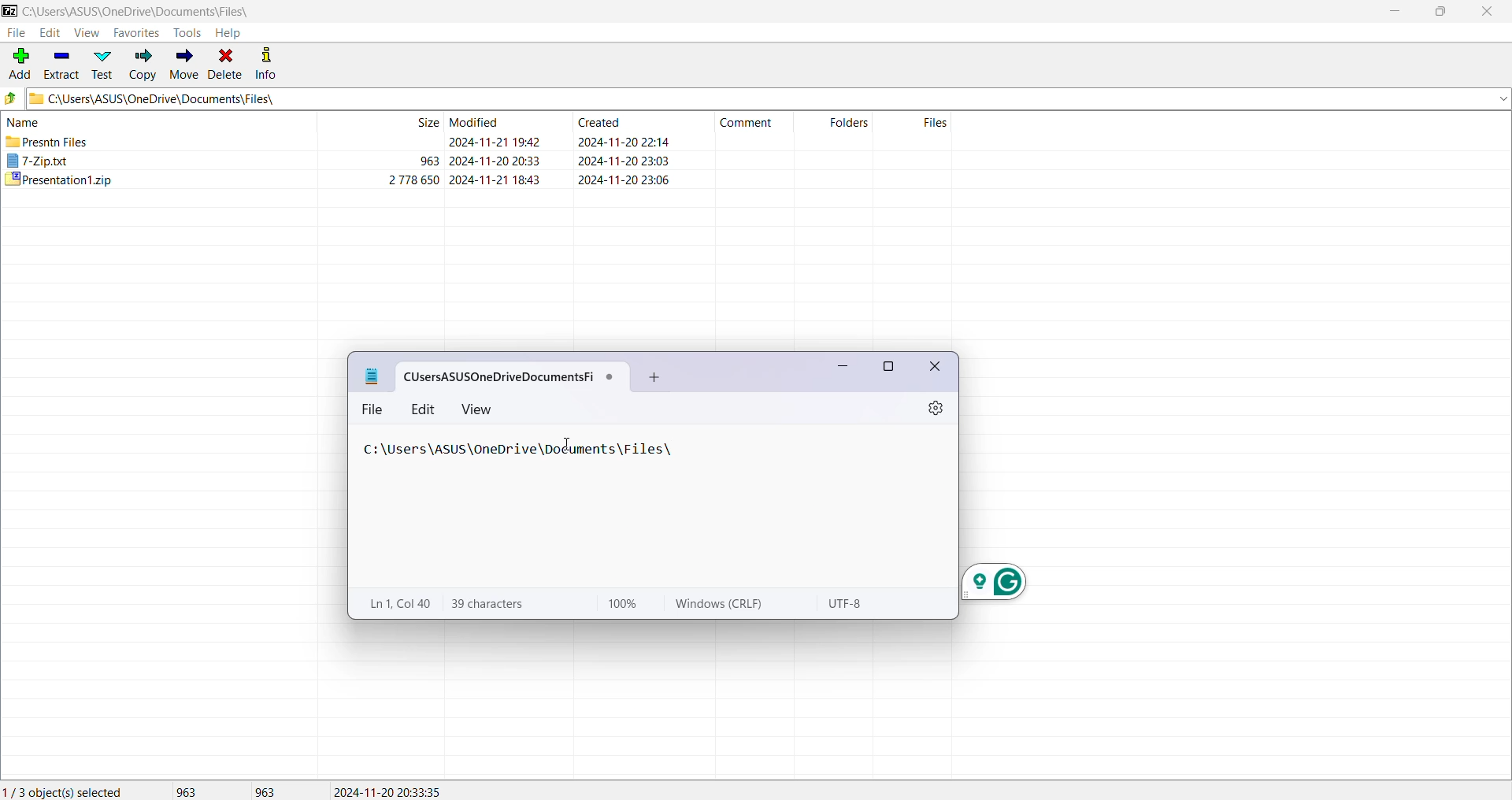  What do you see at coordinates (625, 160) in the screenshot?
I see `created date & tim` at bounding box center [625, 160].